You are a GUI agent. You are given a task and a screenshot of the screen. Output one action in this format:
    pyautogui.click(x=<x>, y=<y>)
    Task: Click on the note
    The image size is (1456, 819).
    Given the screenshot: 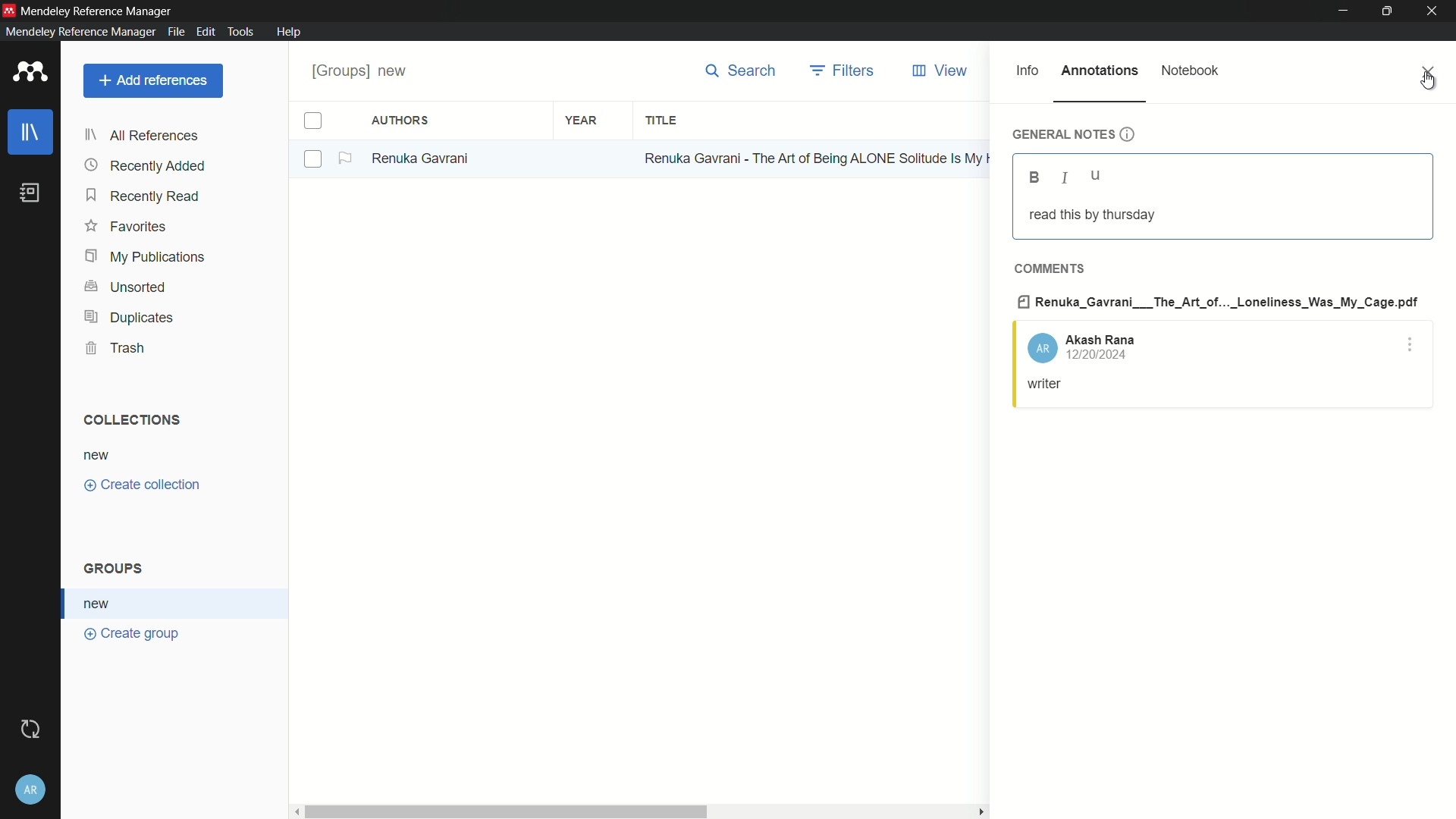 What is the action you would take?
    pyautogui.click(x=1046, y=385)
    